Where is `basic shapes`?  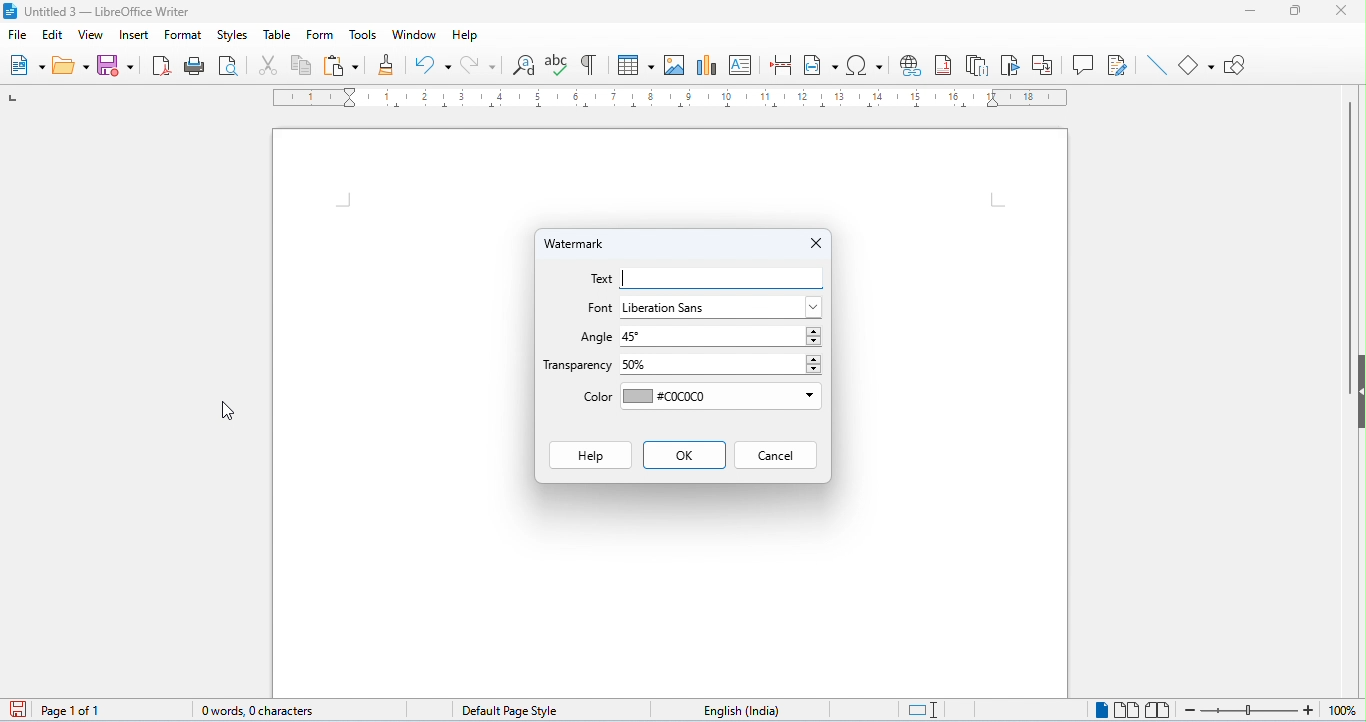 basic shapes is located at coordinates (1198, 66).